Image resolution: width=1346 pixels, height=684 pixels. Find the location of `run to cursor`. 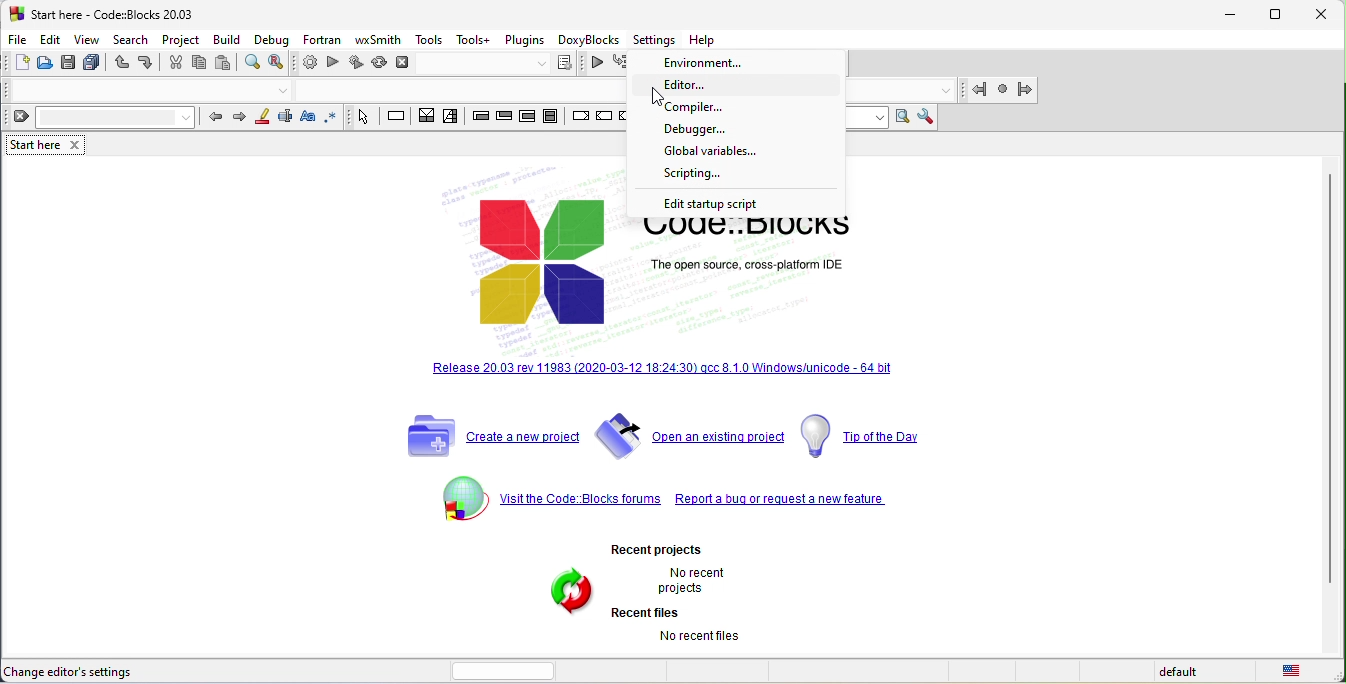

run to cursor is located at coordinates (626, 65).